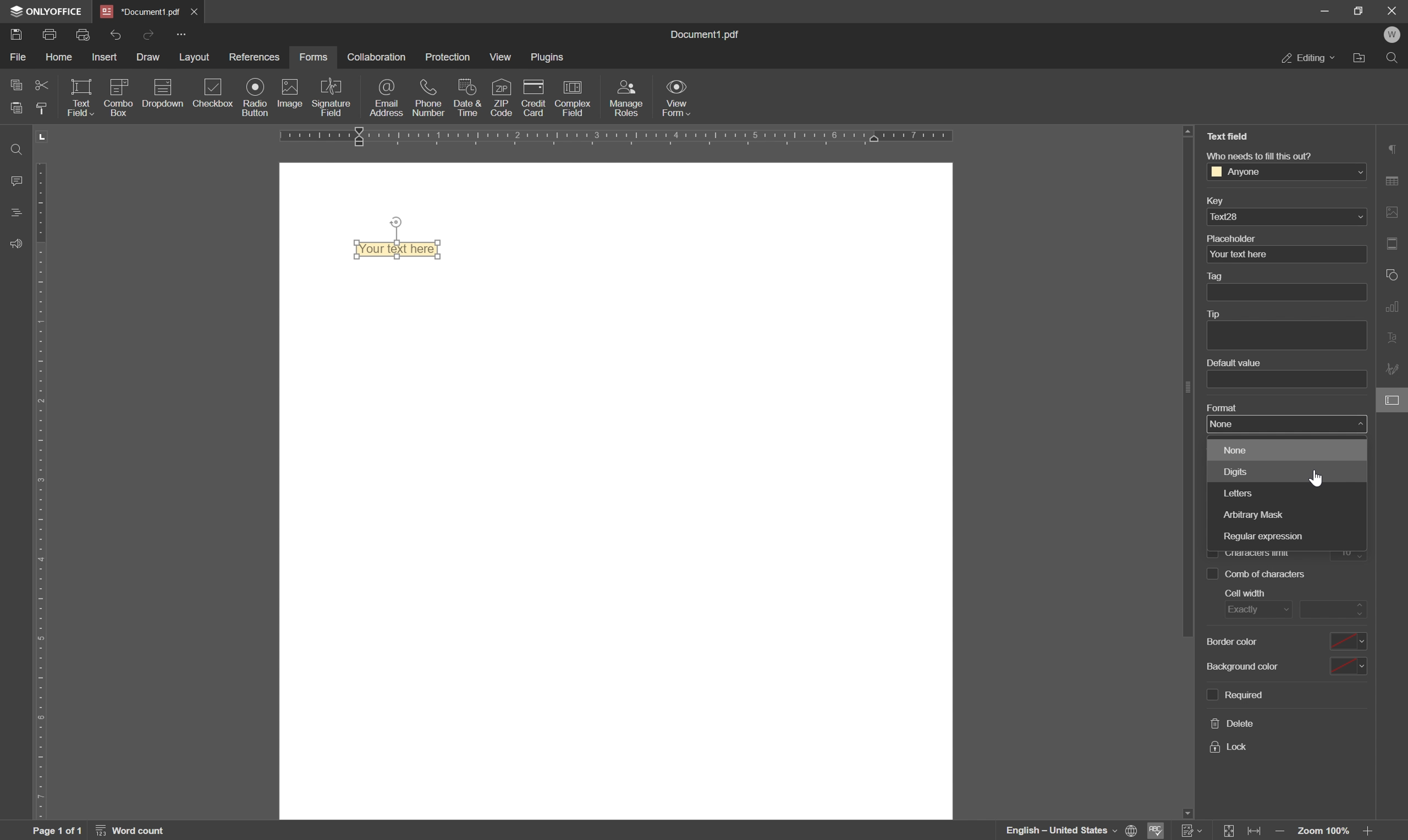  I want to click on text28, so click(1285, 218).